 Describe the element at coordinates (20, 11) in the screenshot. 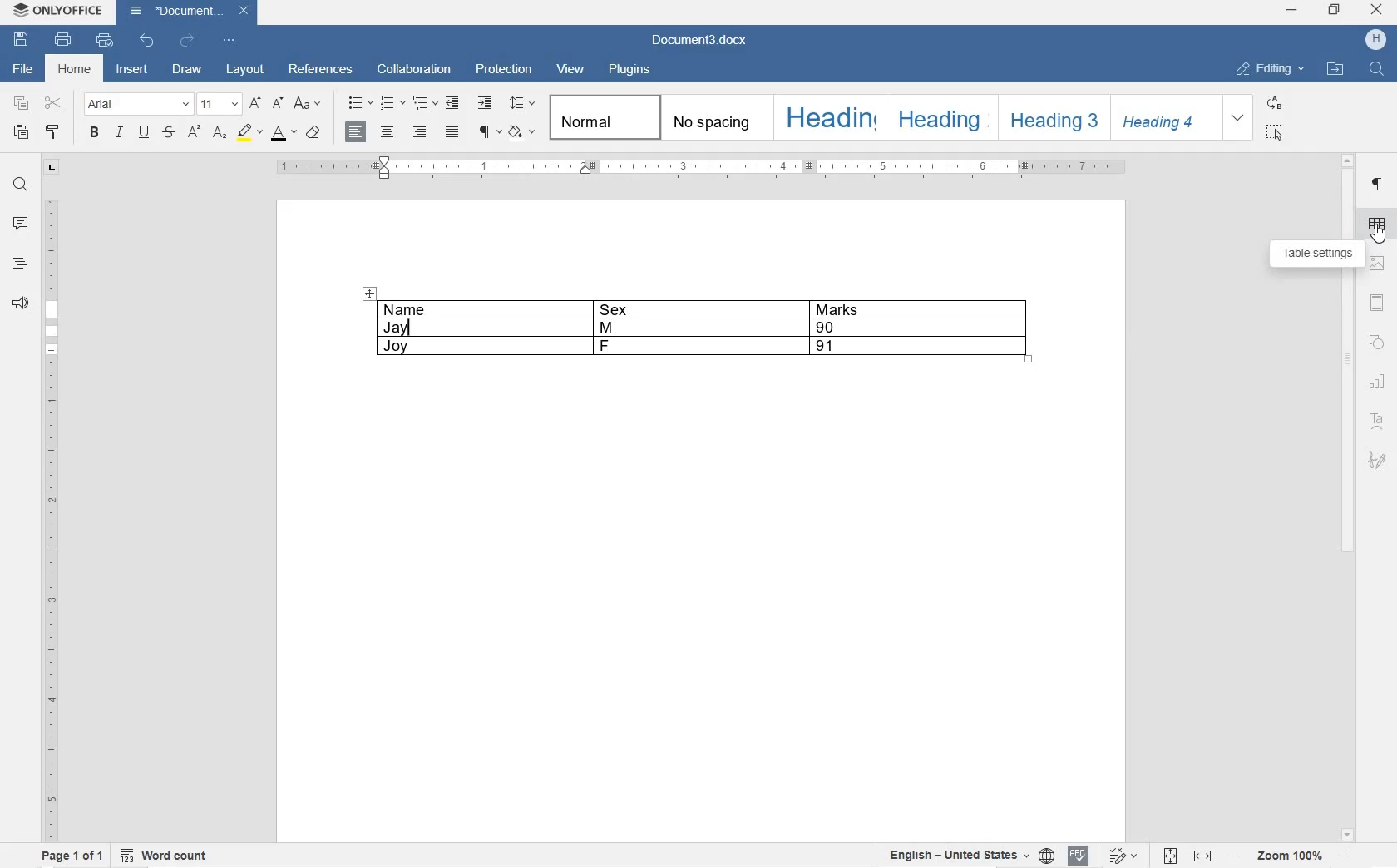

I see `system logo` at that location.